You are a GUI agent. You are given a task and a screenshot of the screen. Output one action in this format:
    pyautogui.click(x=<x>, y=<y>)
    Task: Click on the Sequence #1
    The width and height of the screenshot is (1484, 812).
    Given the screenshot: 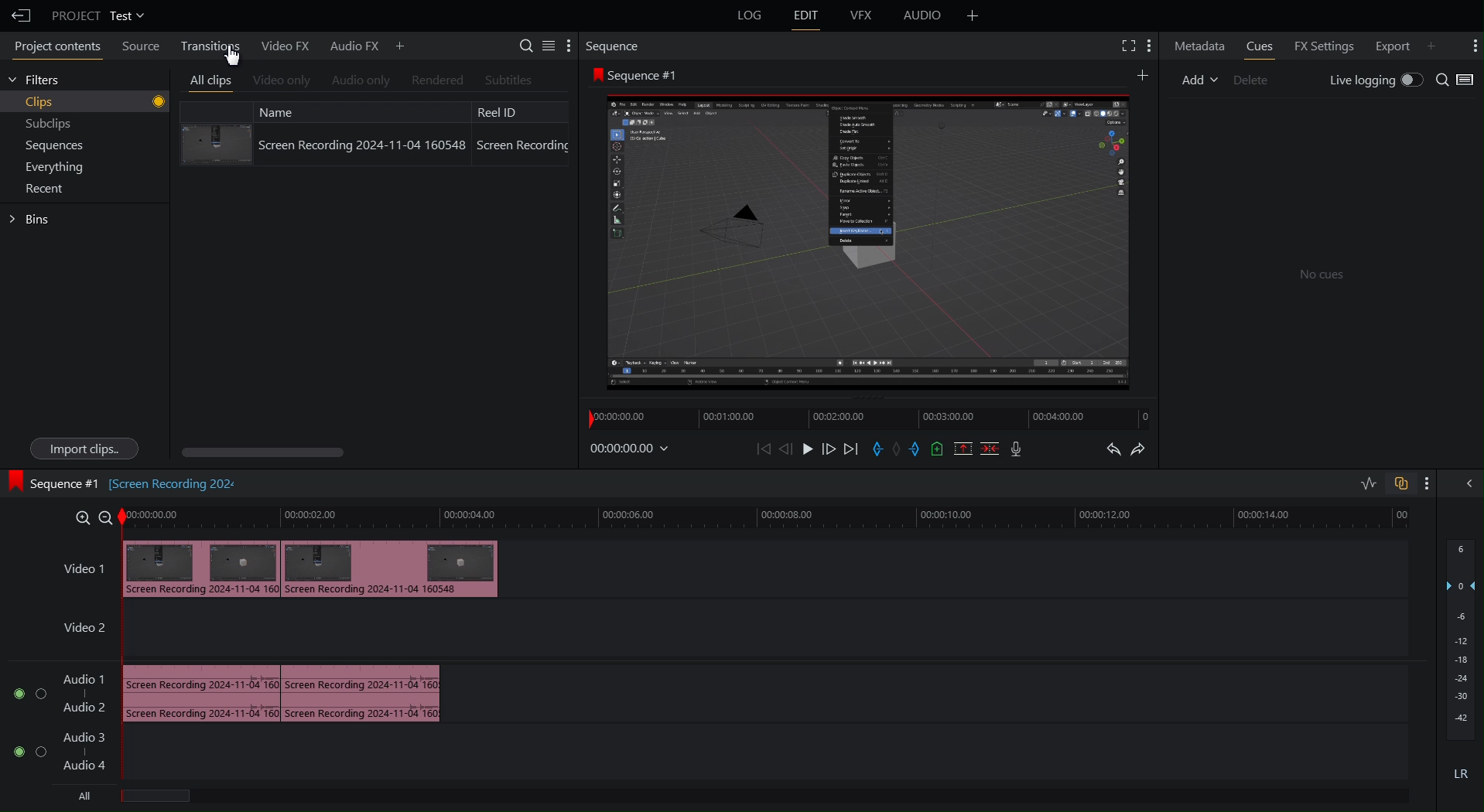 What is the action you would take?
    pyautogui.click(x=636, y=74)
    